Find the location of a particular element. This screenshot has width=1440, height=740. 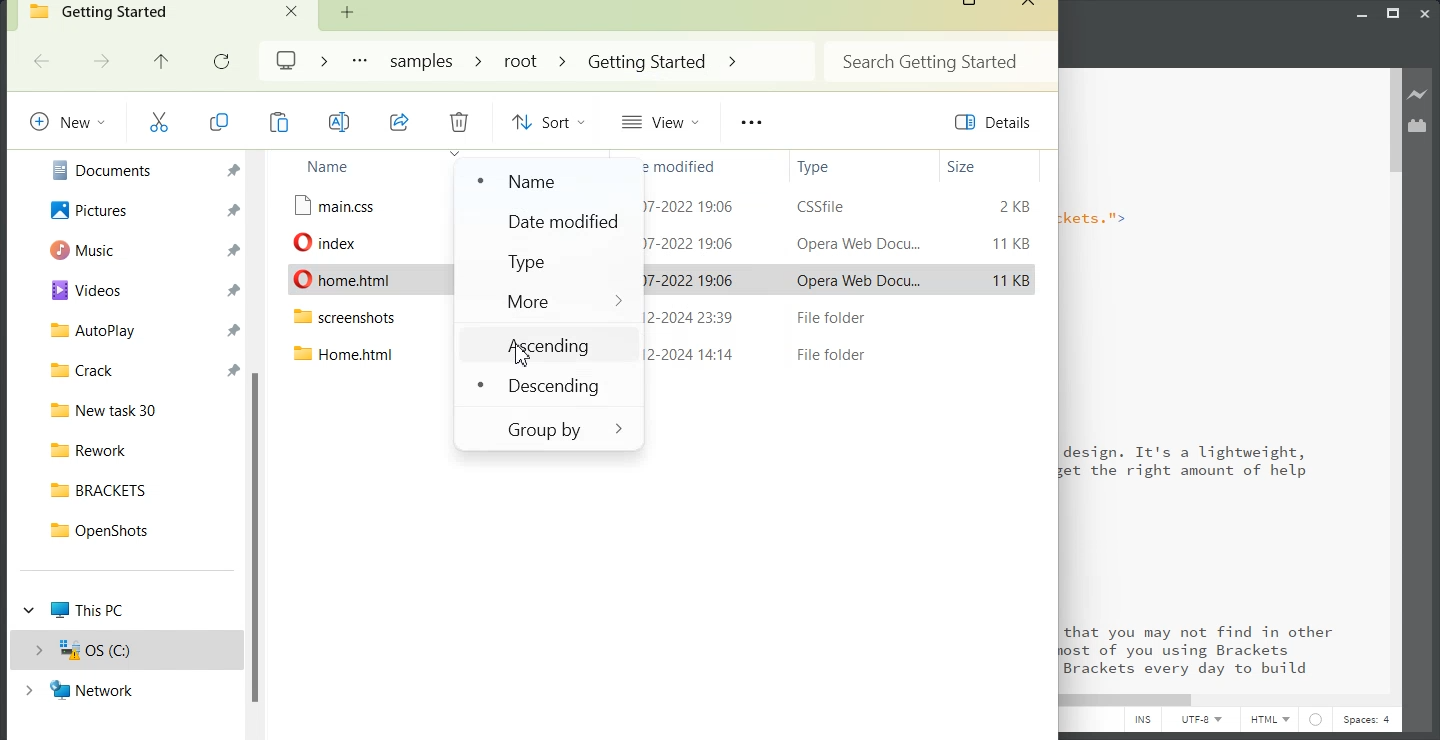

Name is located at coordinates (353, 167).